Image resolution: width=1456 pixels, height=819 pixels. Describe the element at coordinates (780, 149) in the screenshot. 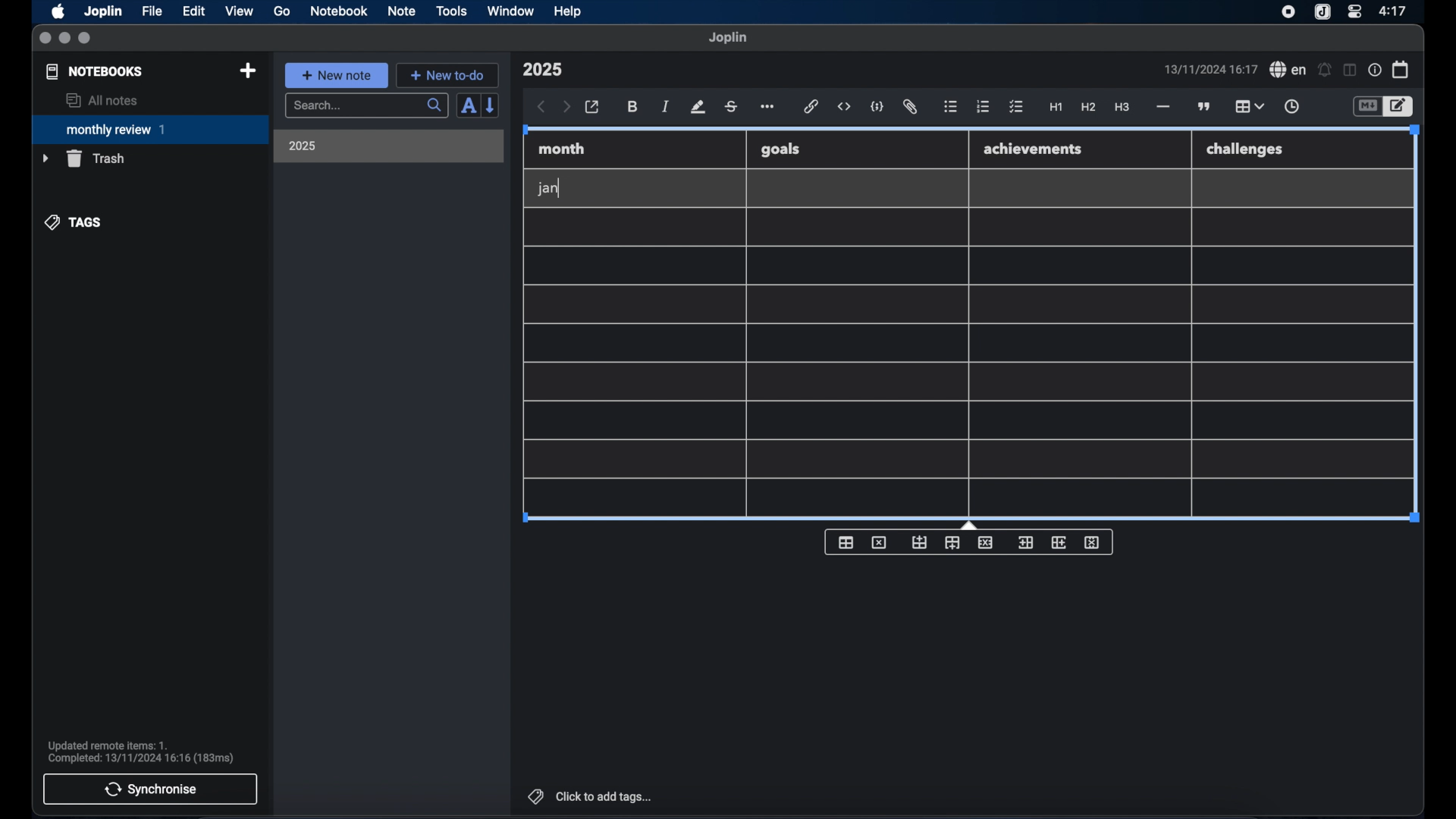

I see `goals` at that location.